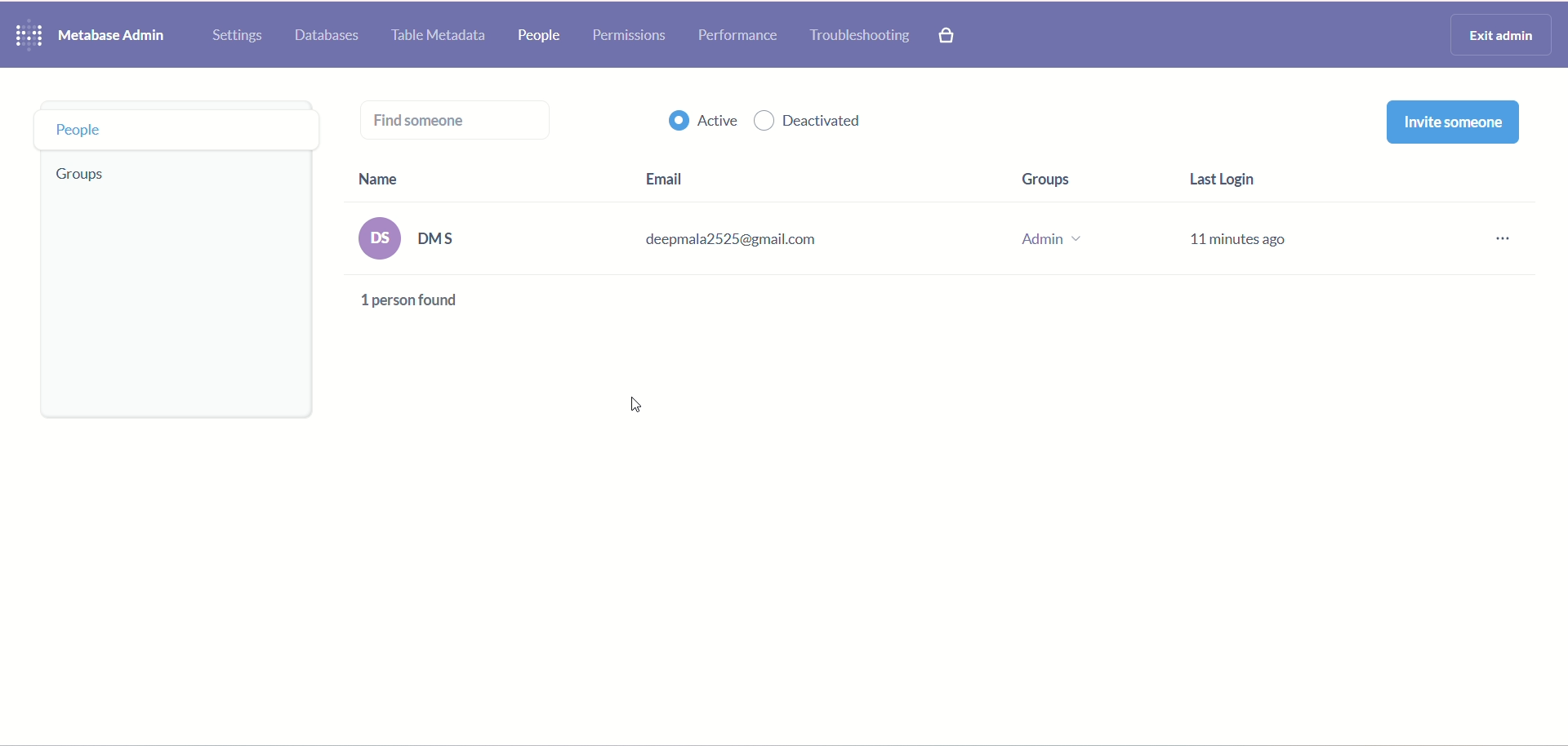 The width and height of the screenshot is (1568, 746). Describe the element at coordinates (862, 37) in the screenshot. I see `troubleshooting` at that location.